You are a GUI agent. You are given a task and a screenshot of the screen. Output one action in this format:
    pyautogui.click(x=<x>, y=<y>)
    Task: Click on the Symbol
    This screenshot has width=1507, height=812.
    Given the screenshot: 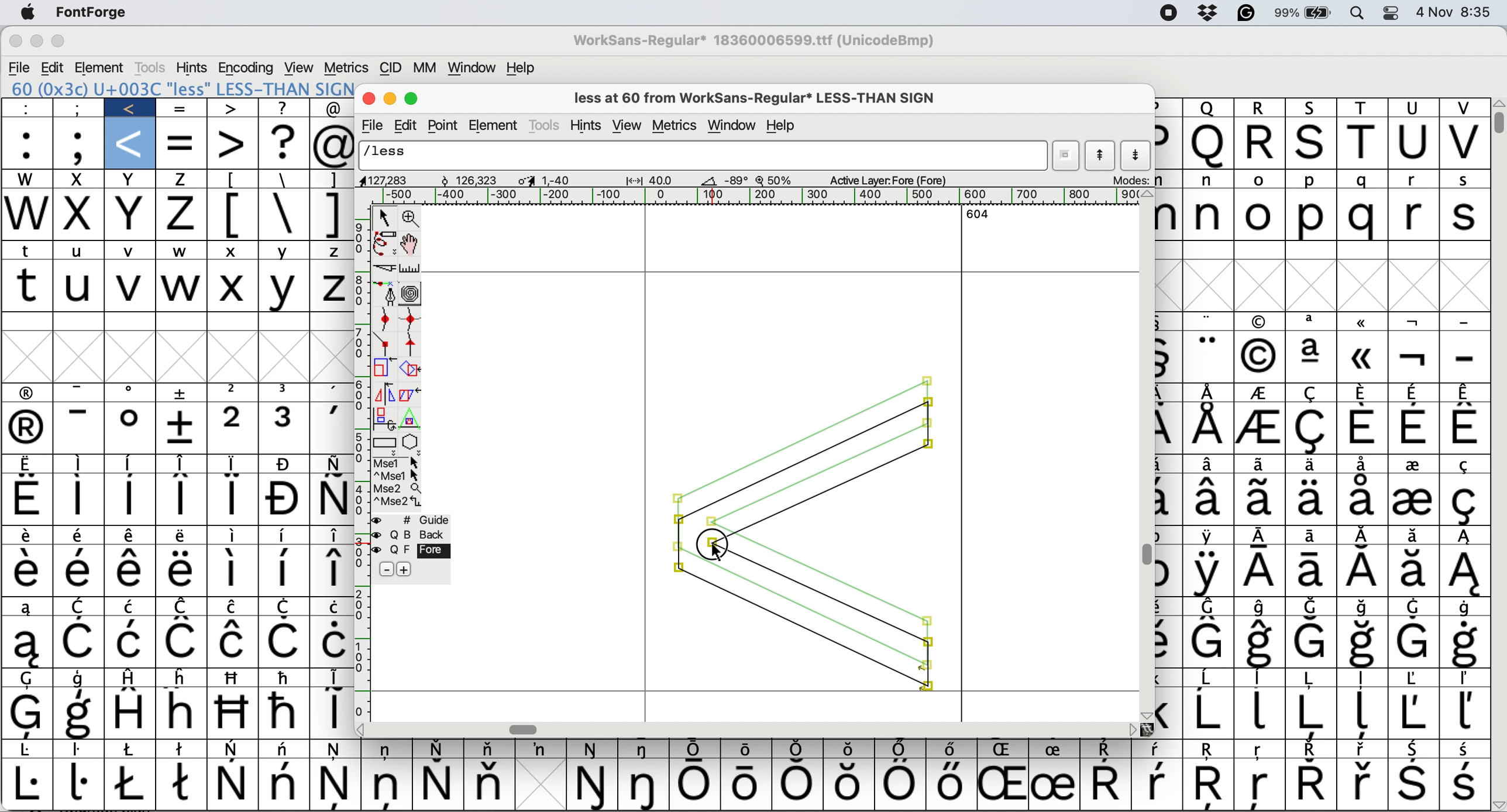 What is the action you would take?
    pyautogui.click(x=78, y=643)
    